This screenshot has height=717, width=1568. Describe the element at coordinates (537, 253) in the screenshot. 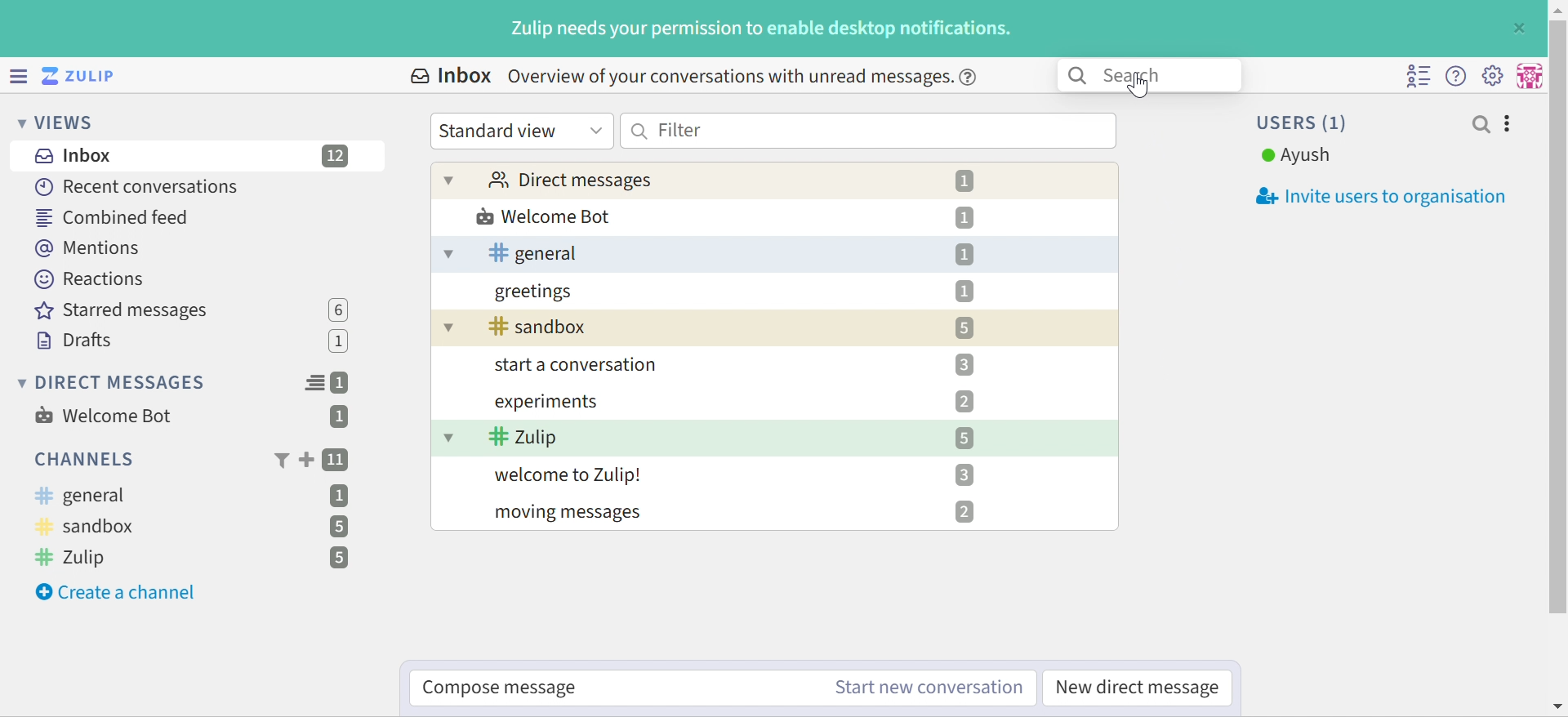

I see `#general` at that location.